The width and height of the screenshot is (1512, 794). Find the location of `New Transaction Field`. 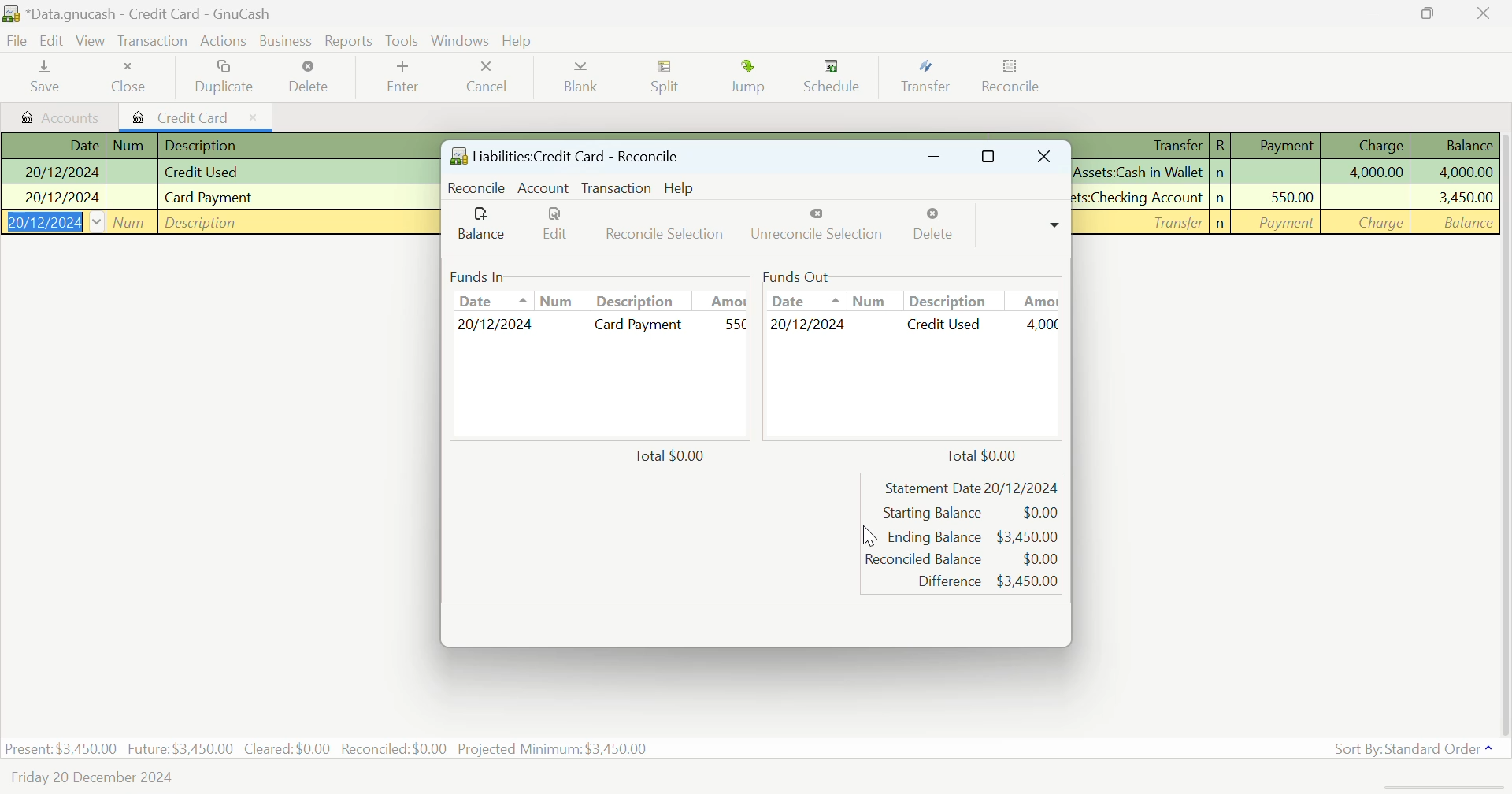

New Transaction Field is located at coordinates (218, 222).